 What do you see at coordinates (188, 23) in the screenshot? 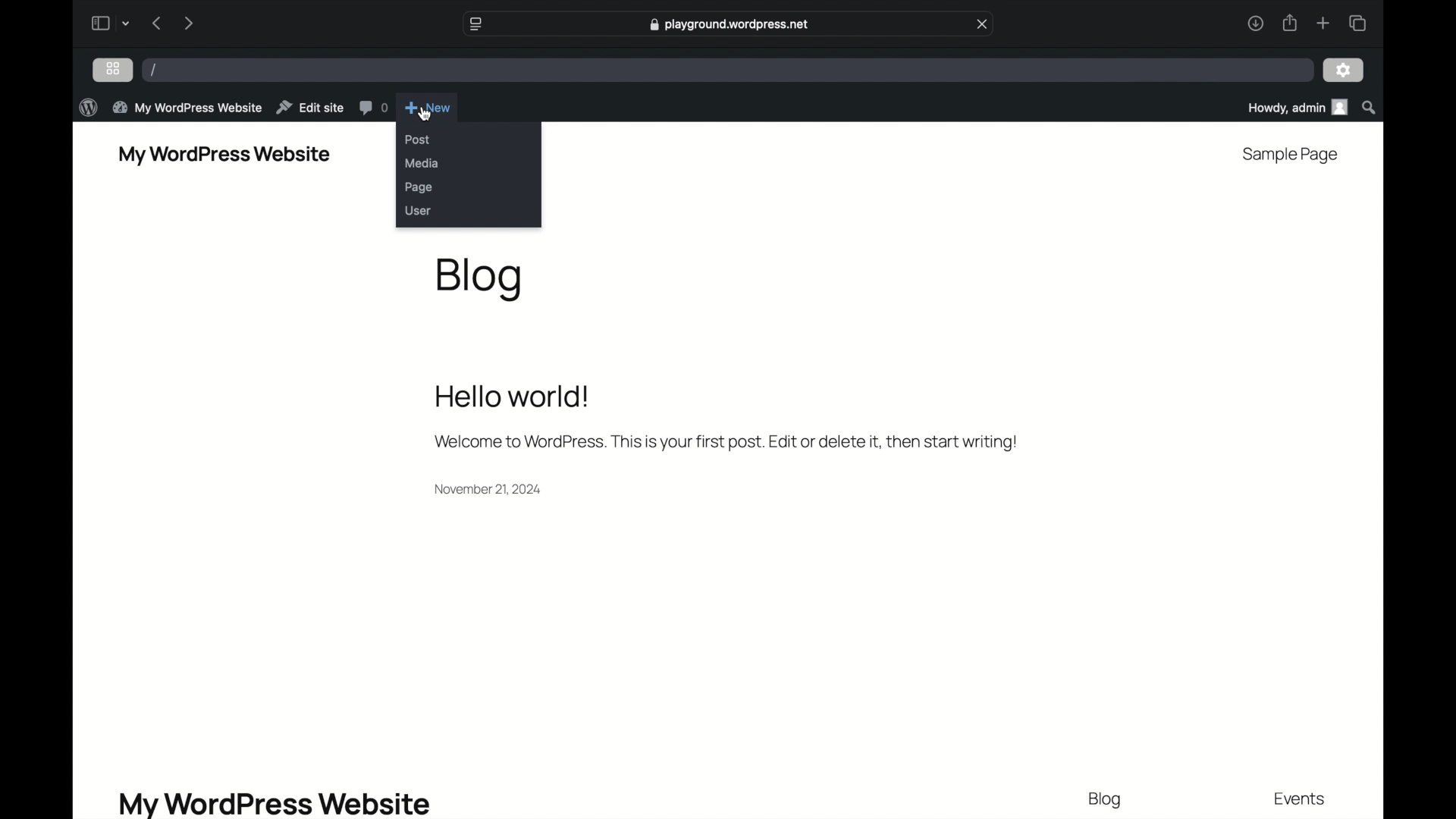
I see `next page` at bounding box center [188, 23].